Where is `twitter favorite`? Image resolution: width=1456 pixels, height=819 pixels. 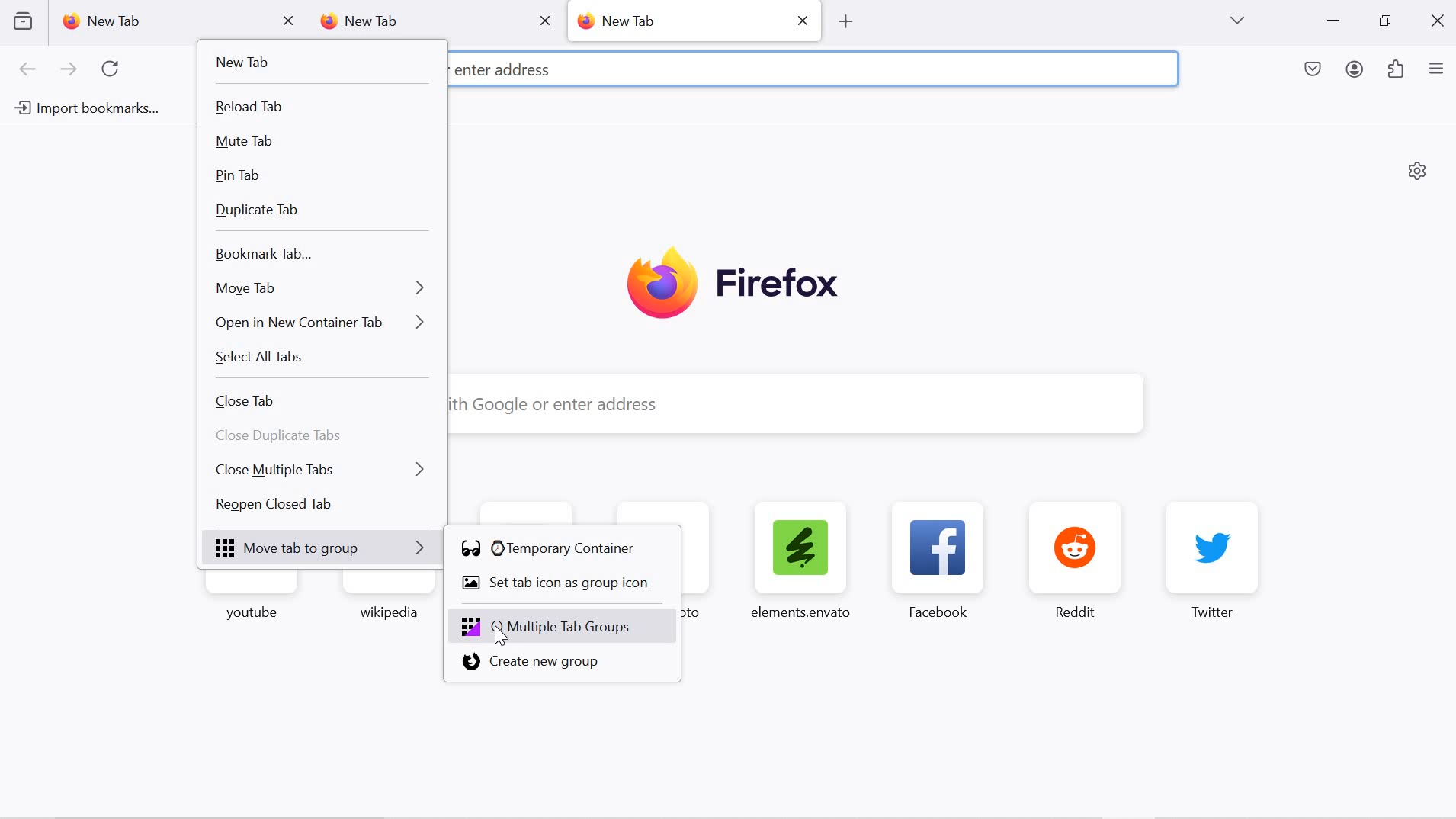
twitter favorite is located at coordinates (1214, 560).